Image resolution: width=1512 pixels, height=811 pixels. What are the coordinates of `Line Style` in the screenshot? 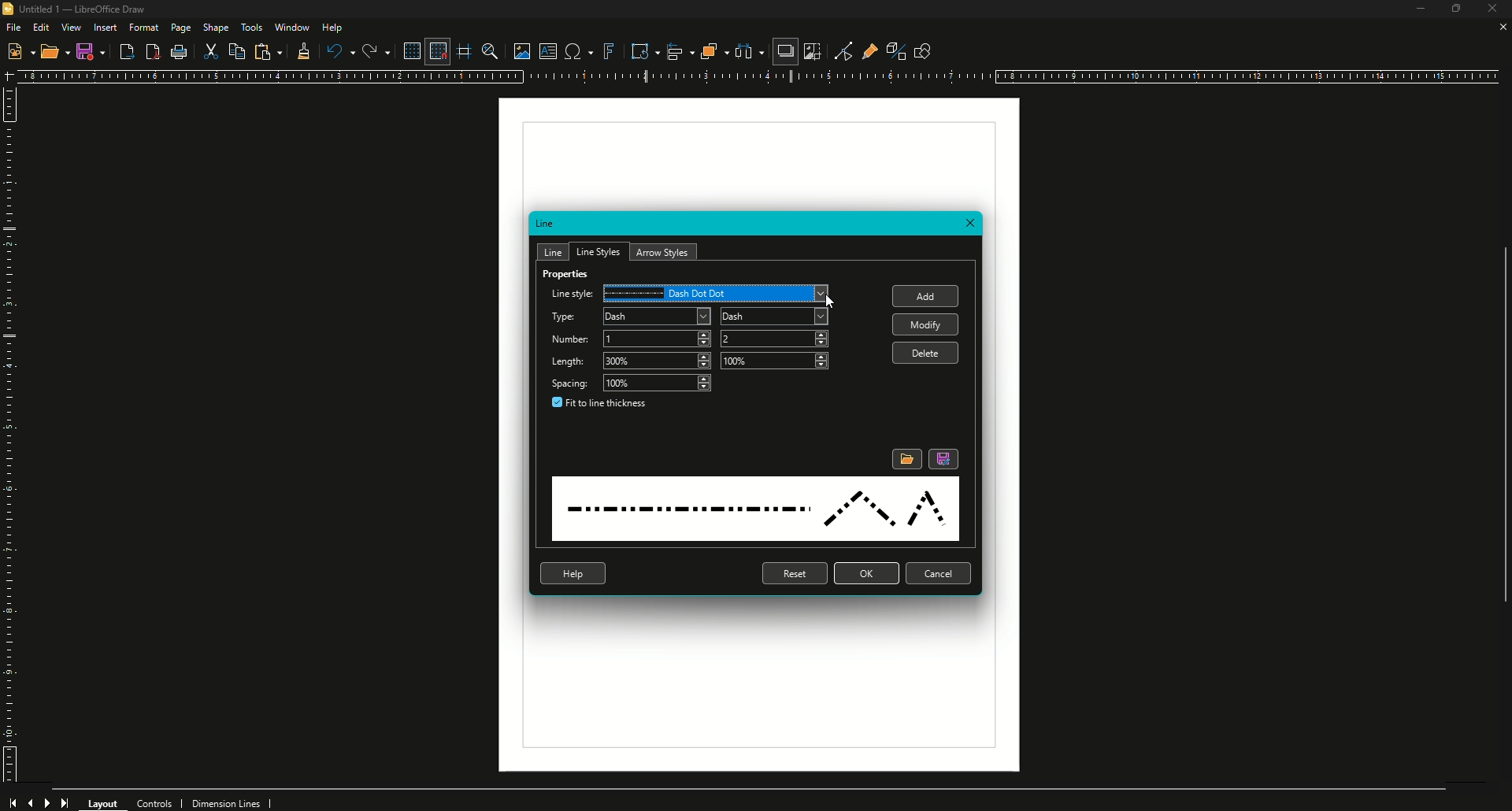 It's located at (755, 510).